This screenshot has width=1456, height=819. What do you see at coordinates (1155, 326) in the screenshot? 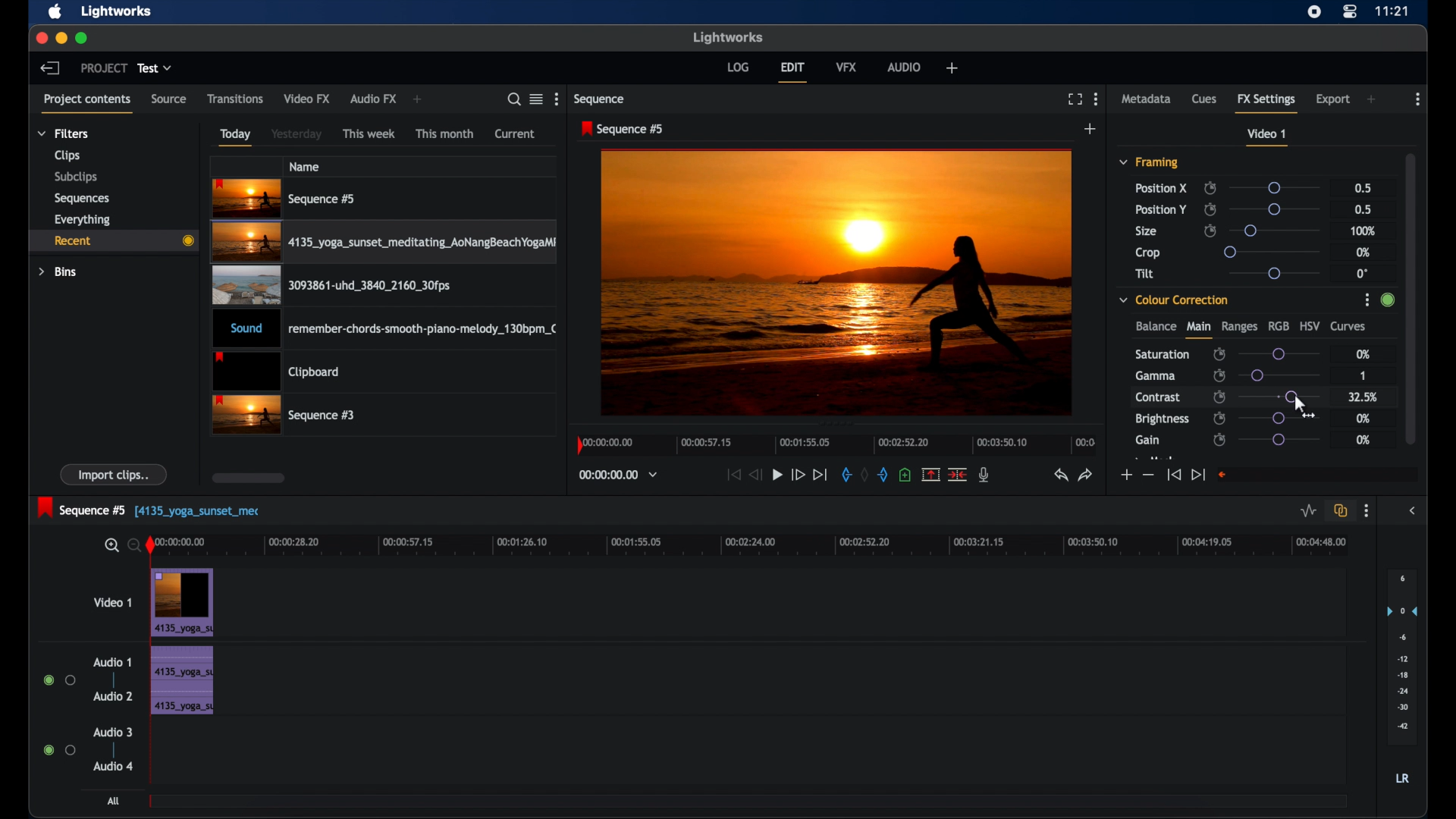
I see `balance` at bounding box center [1155, 326].